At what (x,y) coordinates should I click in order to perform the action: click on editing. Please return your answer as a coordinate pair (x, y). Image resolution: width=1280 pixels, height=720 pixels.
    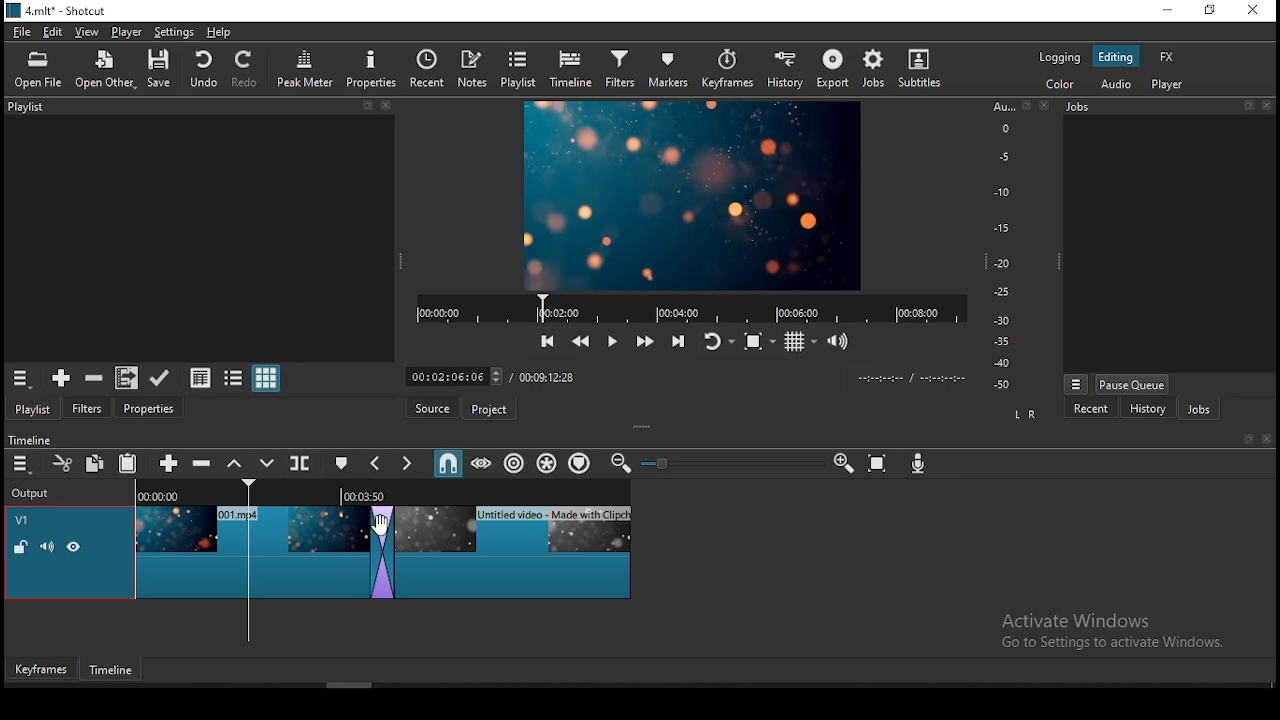
    Looking at the image, I should click on (1115, 56).